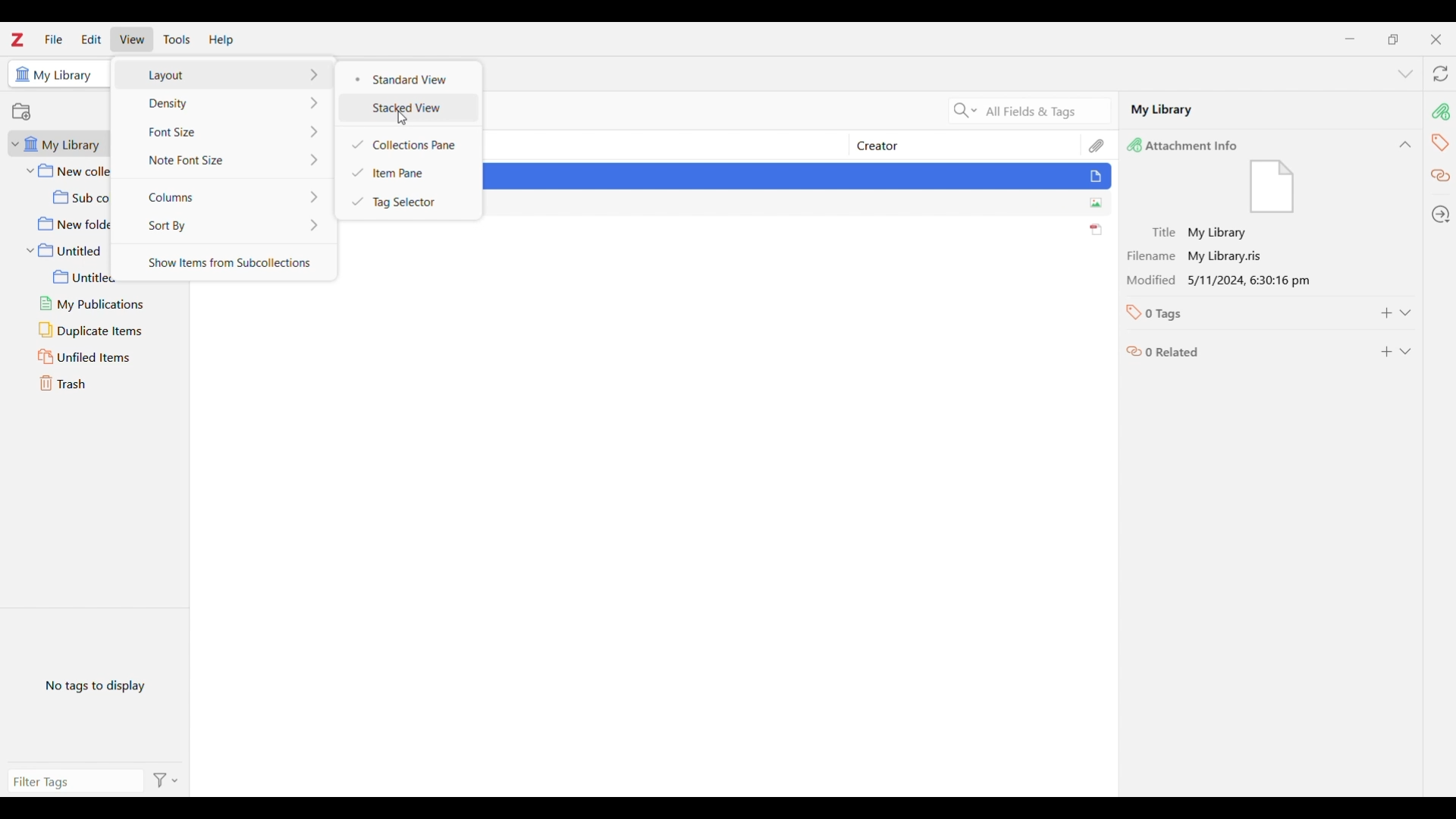 The height and width of the screenshot is (819, 1456). What do you see at coordinates (1439, 140) in the screenshot?
I see `tags` at bounding box center [1439, 140].